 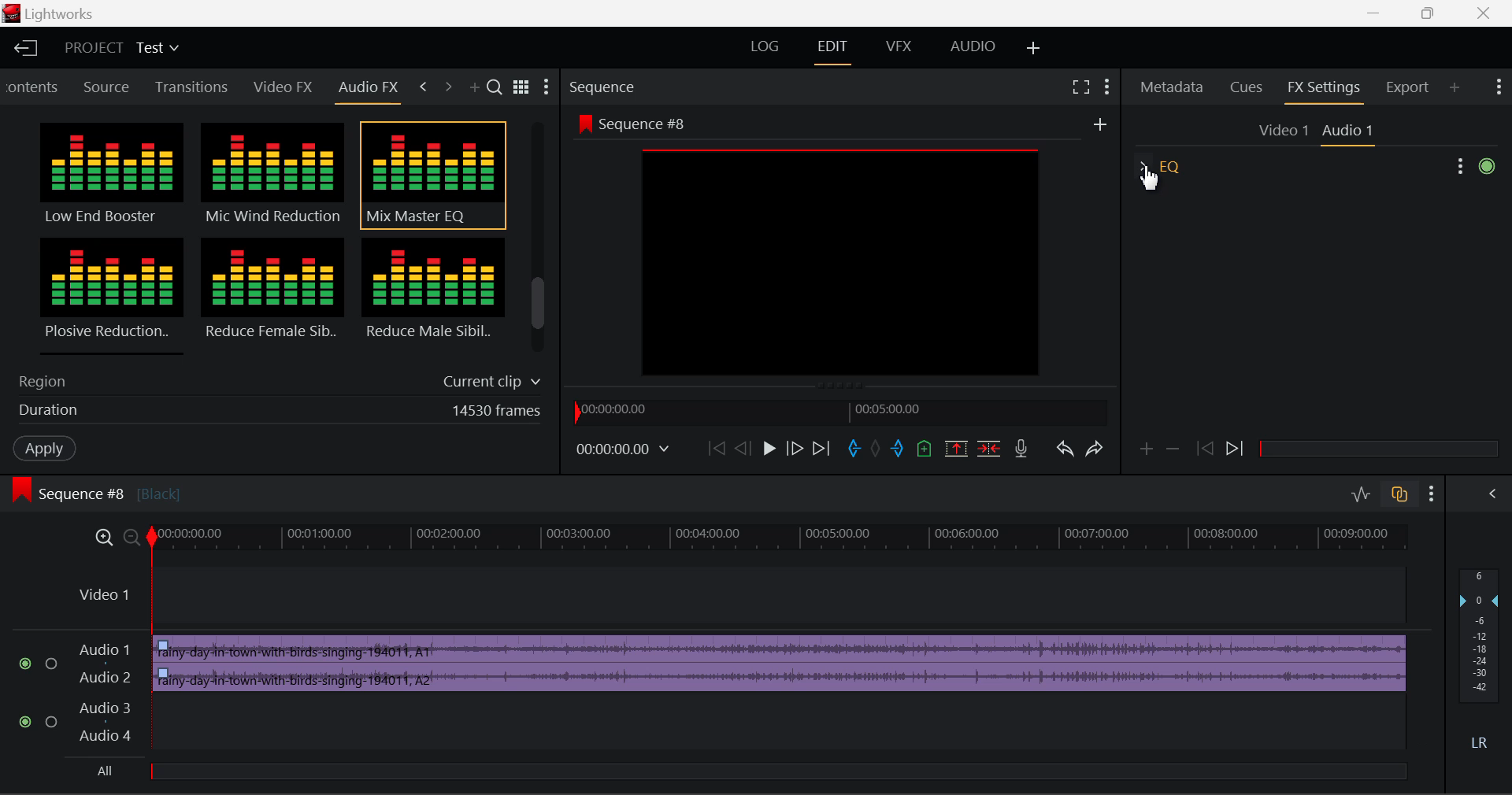 I want to click on Sequence Section, so click(x=649, y=86).